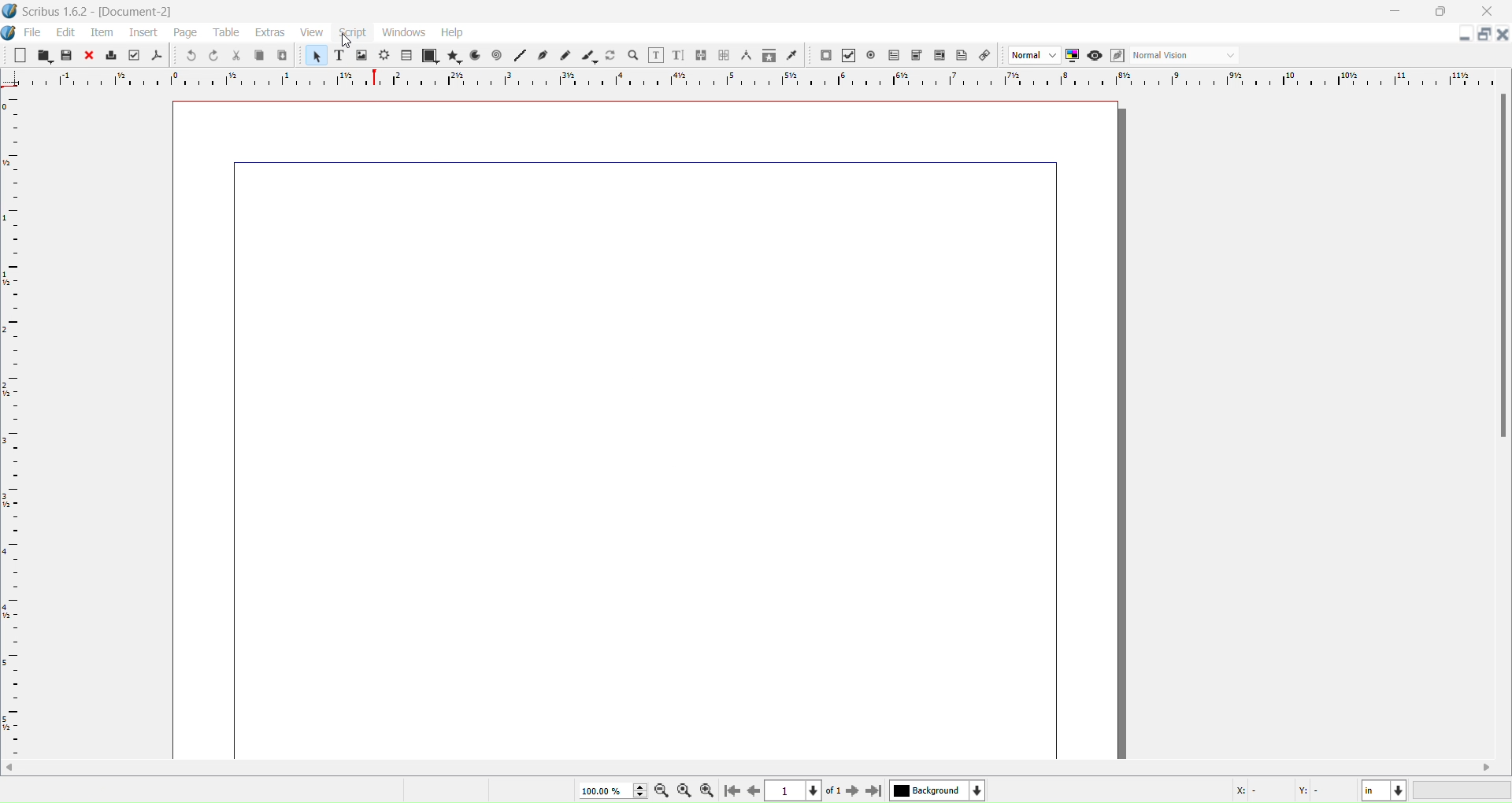 The image size is (1512, 803). I want to click on pdf Check Box, so click(847, 56).